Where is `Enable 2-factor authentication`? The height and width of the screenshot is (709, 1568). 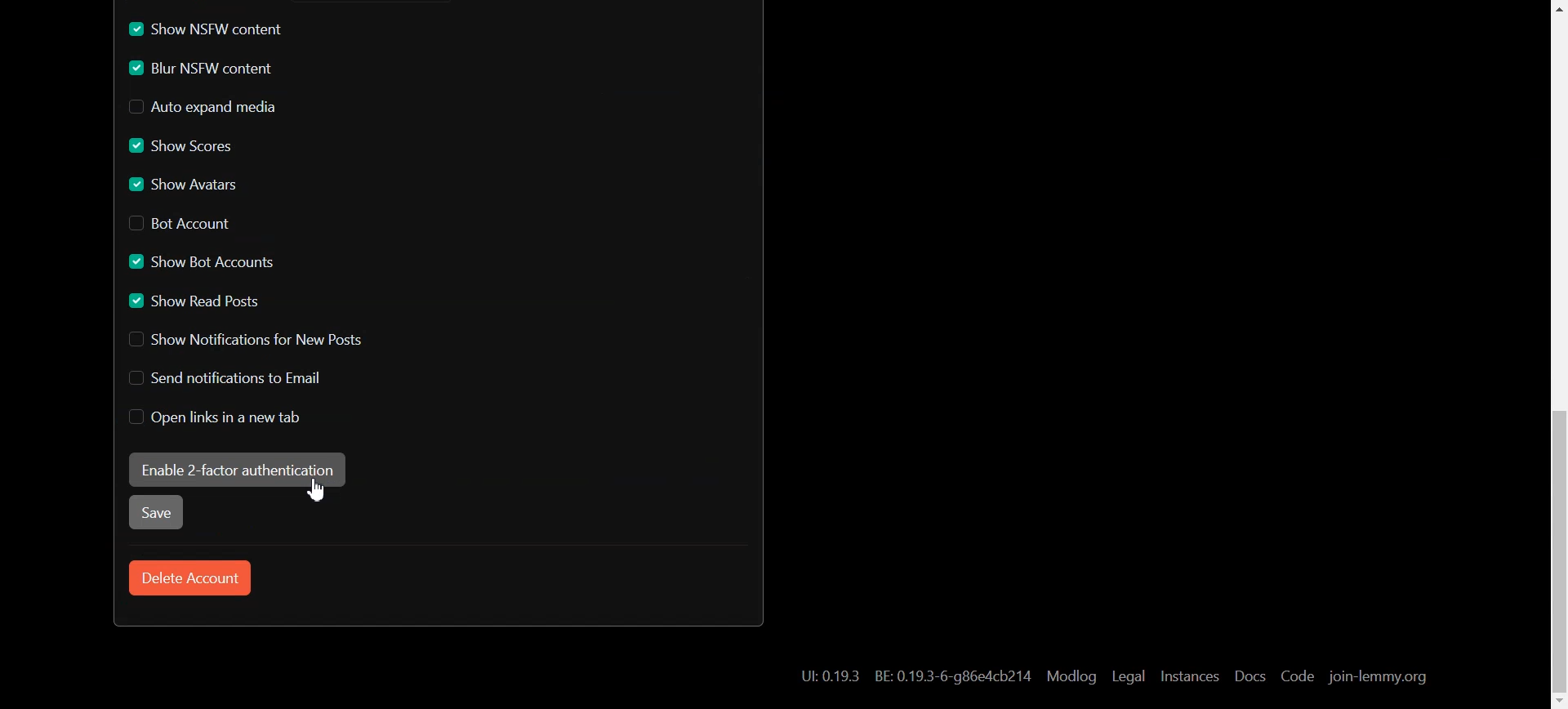 Enable 2-factor authentication is located at coordinates (236, 470).